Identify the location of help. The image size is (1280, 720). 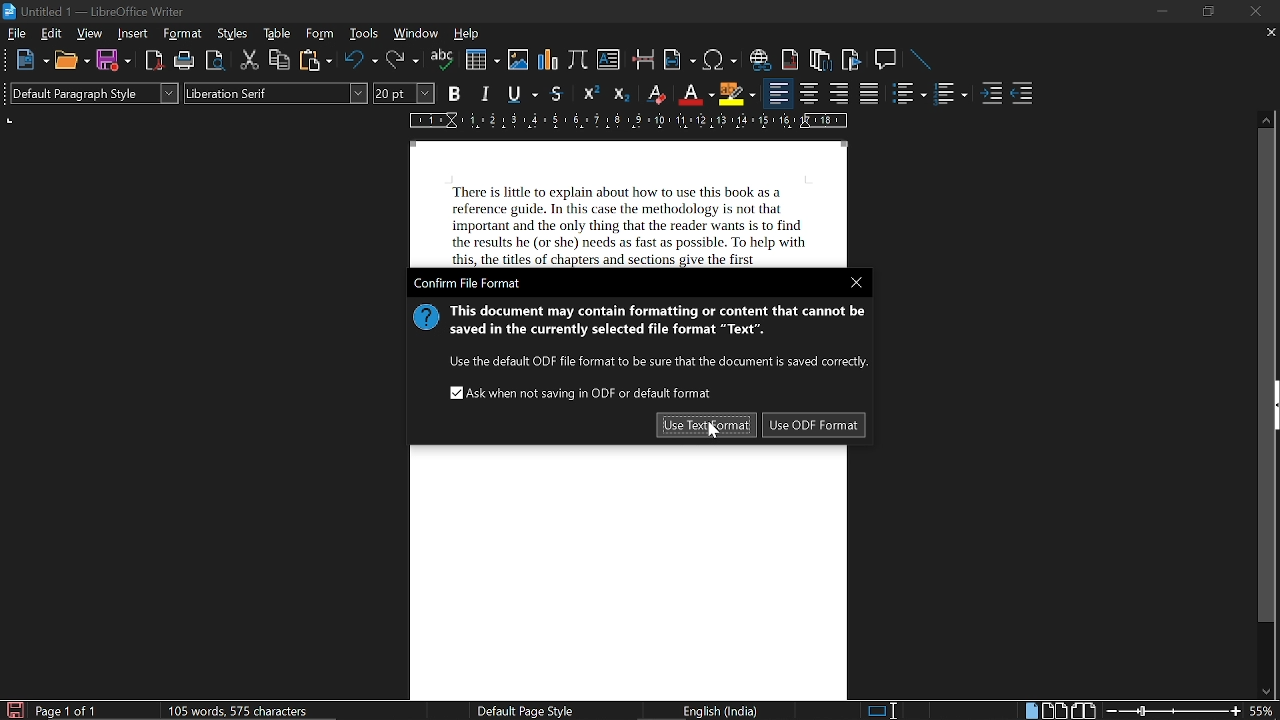
(470, 34).